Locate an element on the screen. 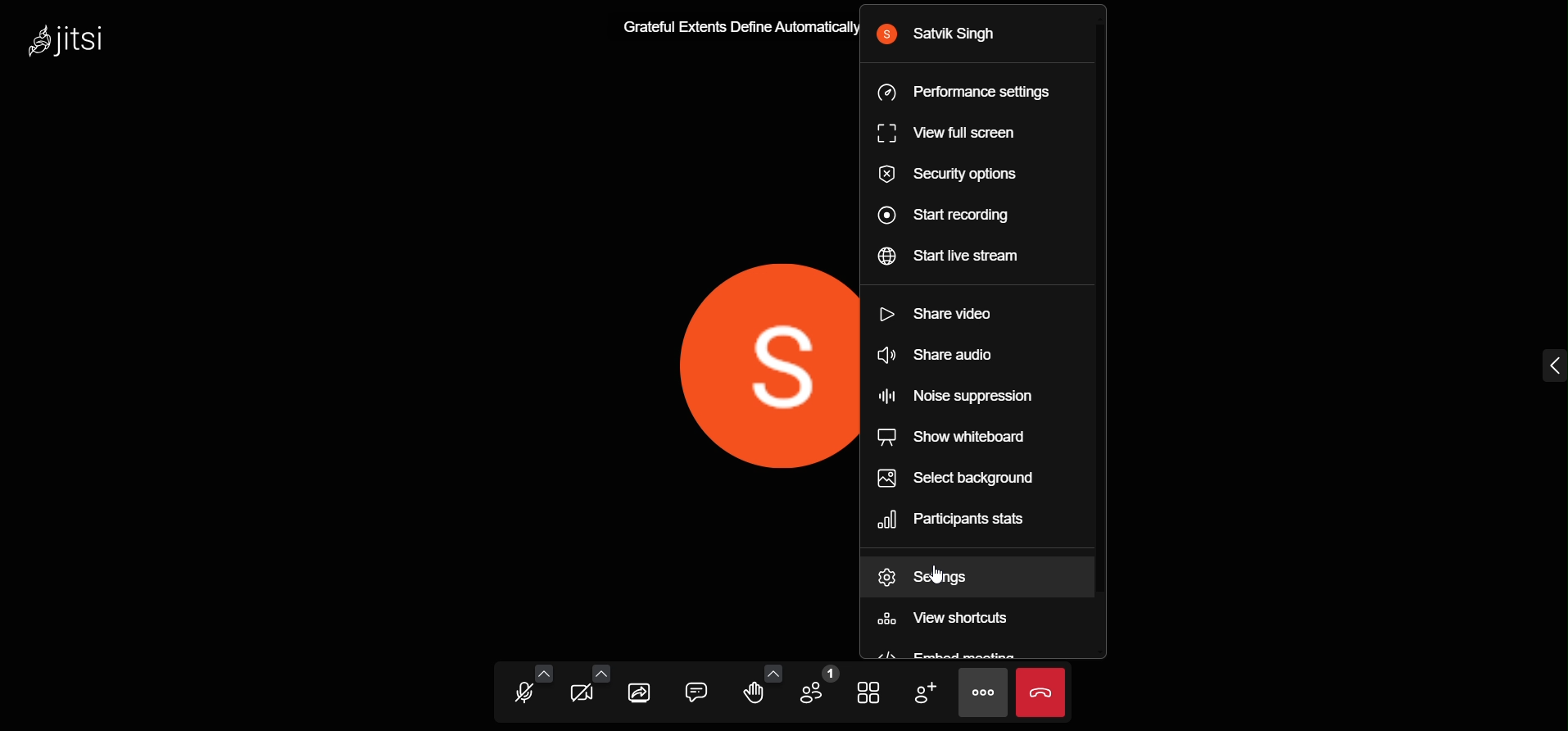 This screenshot has height=731, width=1568. start live stream is located at coordinates (960, 260).